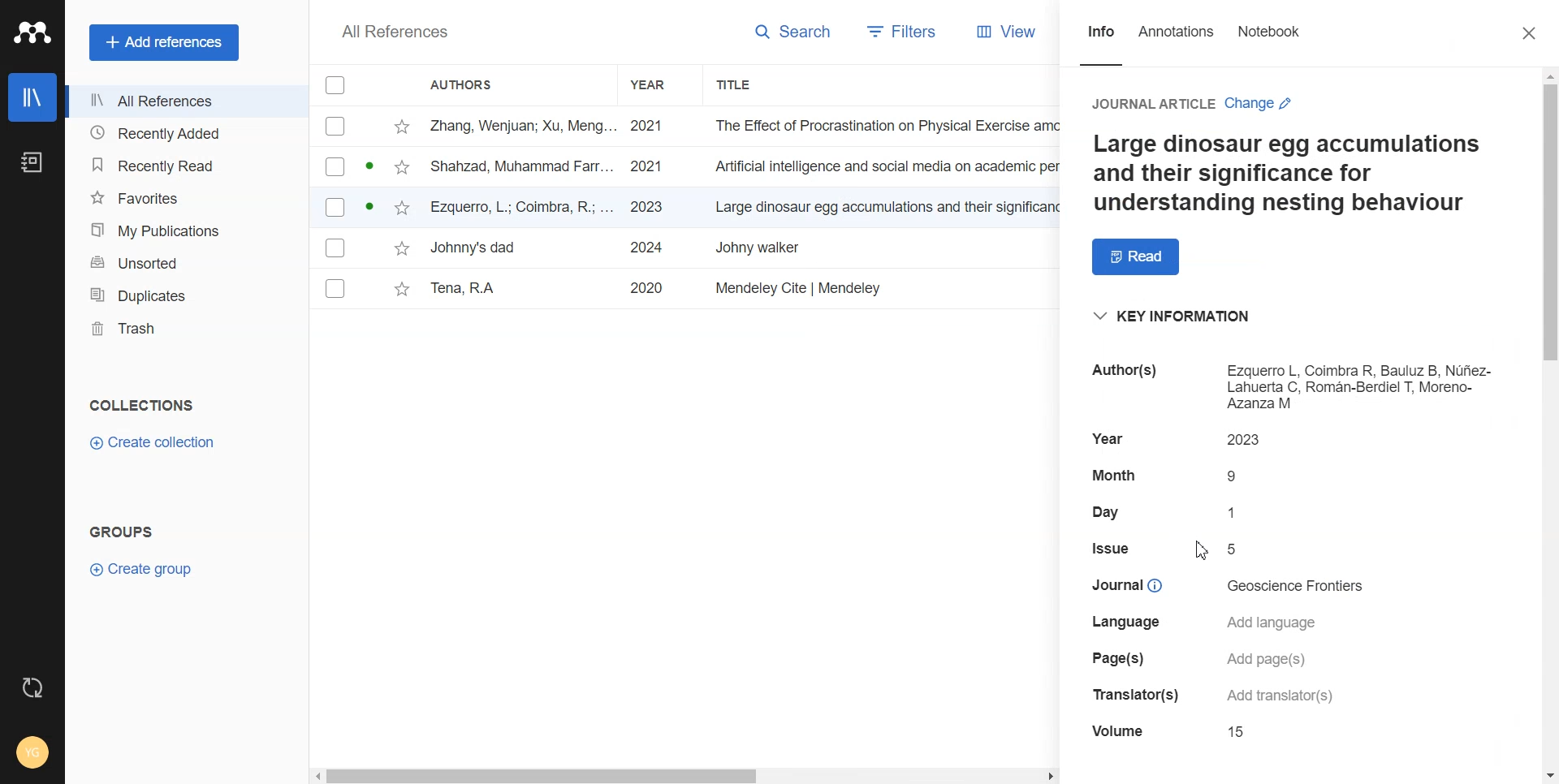 The height and width of the screenshot is (784, 1559). What do you see at coordinates (336, 126) in the screenshot?
I see `Checkbox` at bounding box center [336, 126].